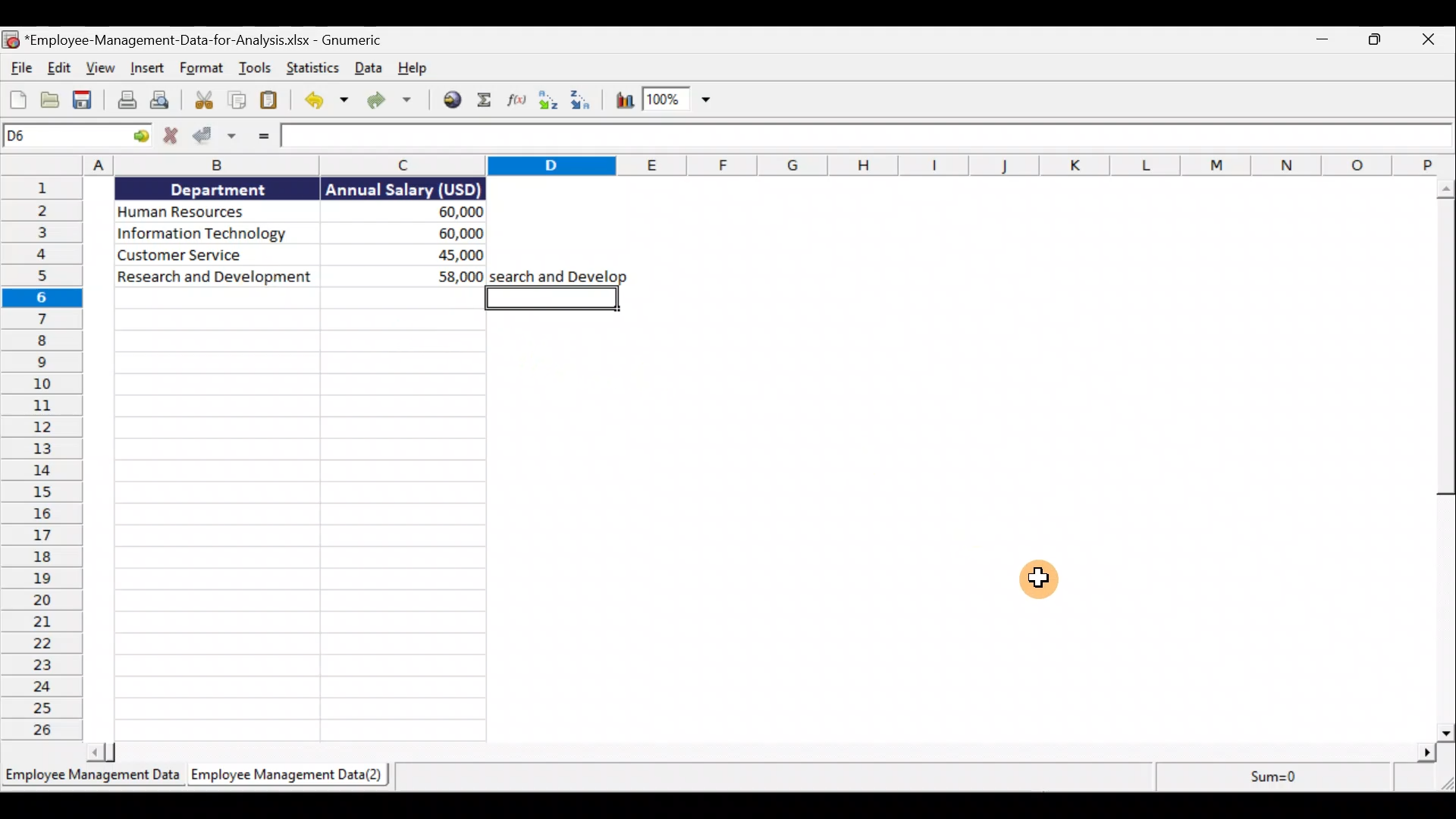 This screenshot has height=819, width=1456. Describe the element at coordinates (1267, 777) in the screenshot. I see `sum=0` at that location.